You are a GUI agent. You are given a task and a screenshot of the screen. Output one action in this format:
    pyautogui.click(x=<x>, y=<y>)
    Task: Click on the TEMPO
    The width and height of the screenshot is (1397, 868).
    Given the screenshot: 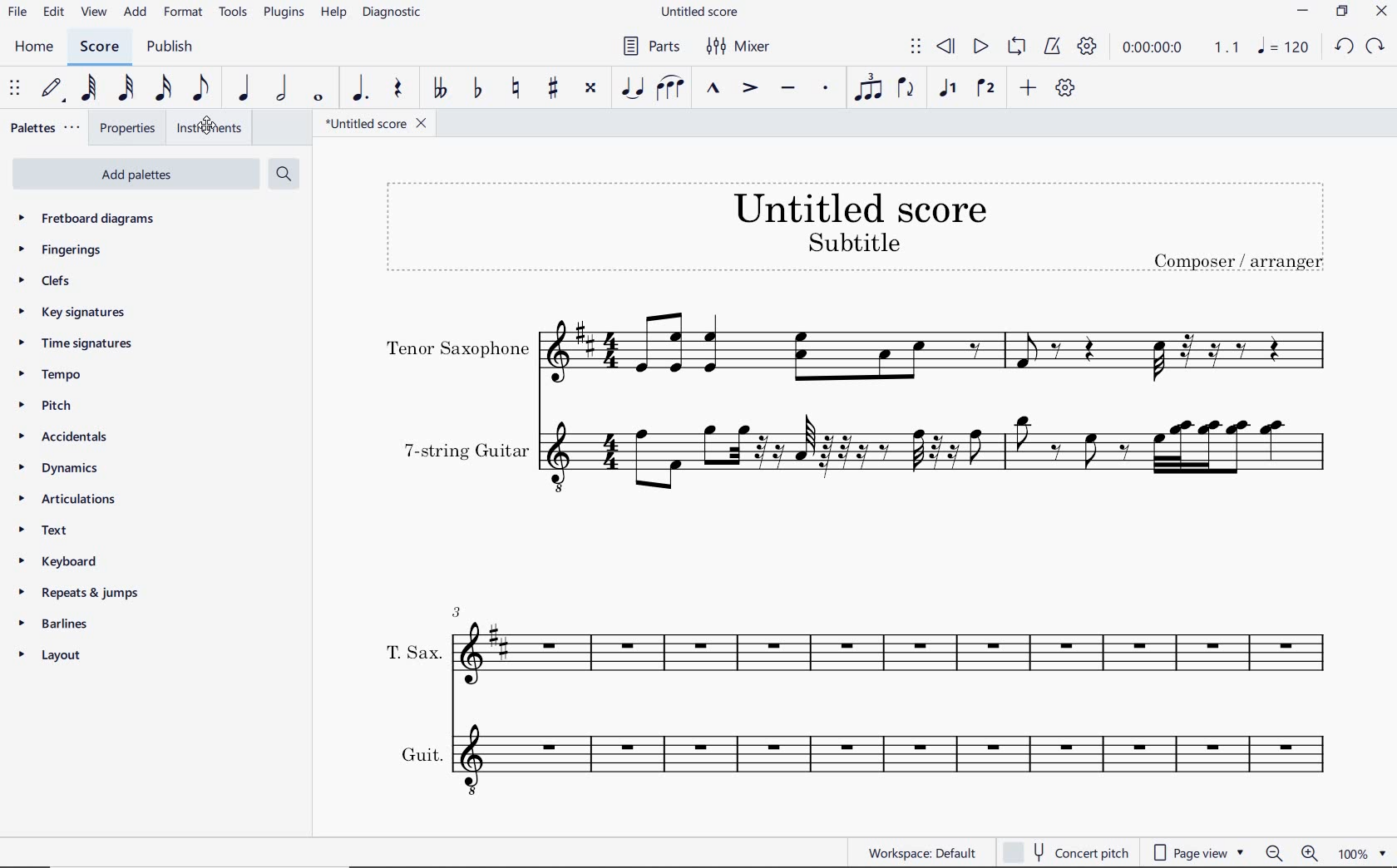 What is the action you would take?
    pyautogui.click(x=47, y=374)
    